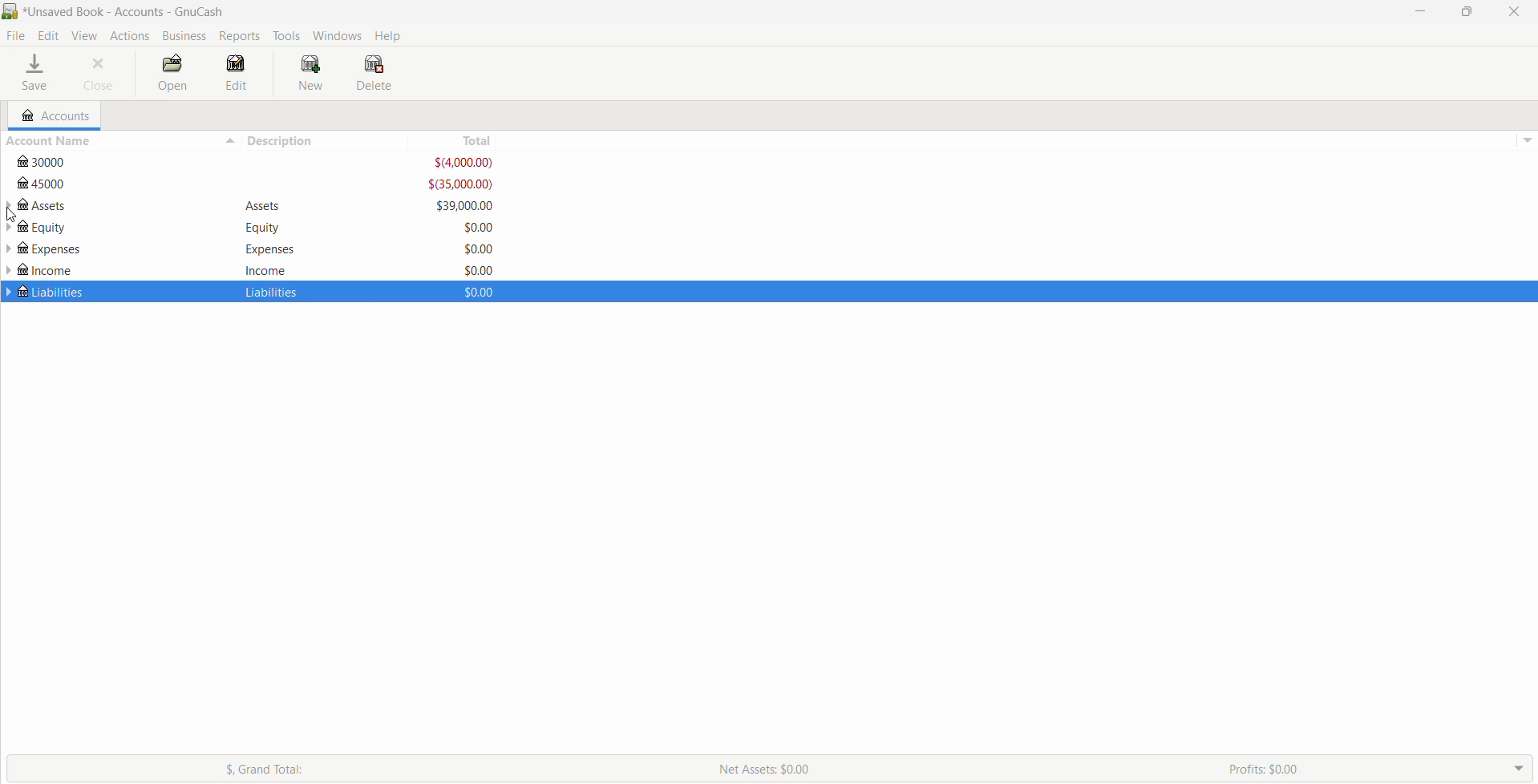  Describe the element at coordinates (97, 72) in the screenshot. I see `Close` at that location.